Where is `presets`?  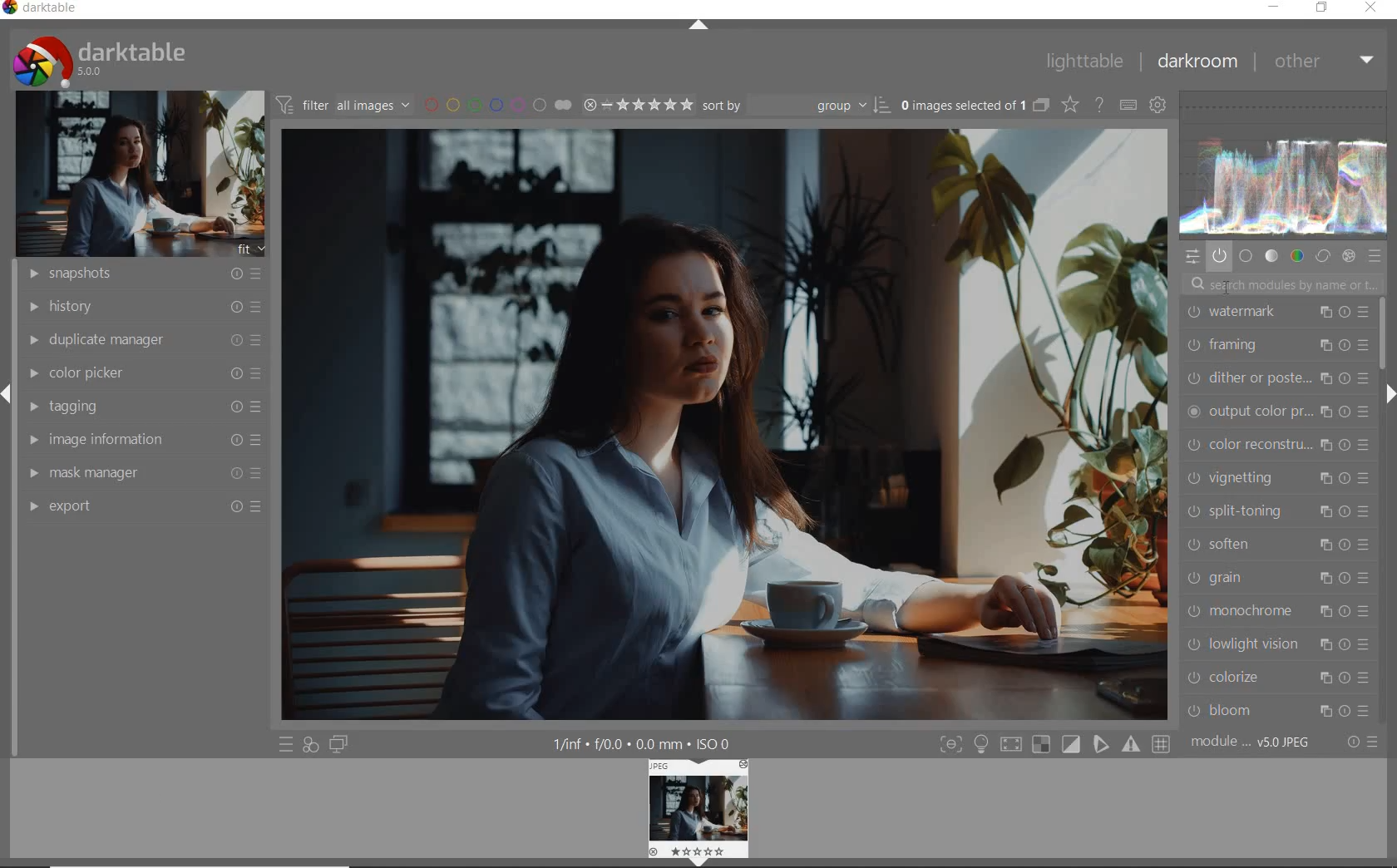
presets is located at coordinates (1375, 255).